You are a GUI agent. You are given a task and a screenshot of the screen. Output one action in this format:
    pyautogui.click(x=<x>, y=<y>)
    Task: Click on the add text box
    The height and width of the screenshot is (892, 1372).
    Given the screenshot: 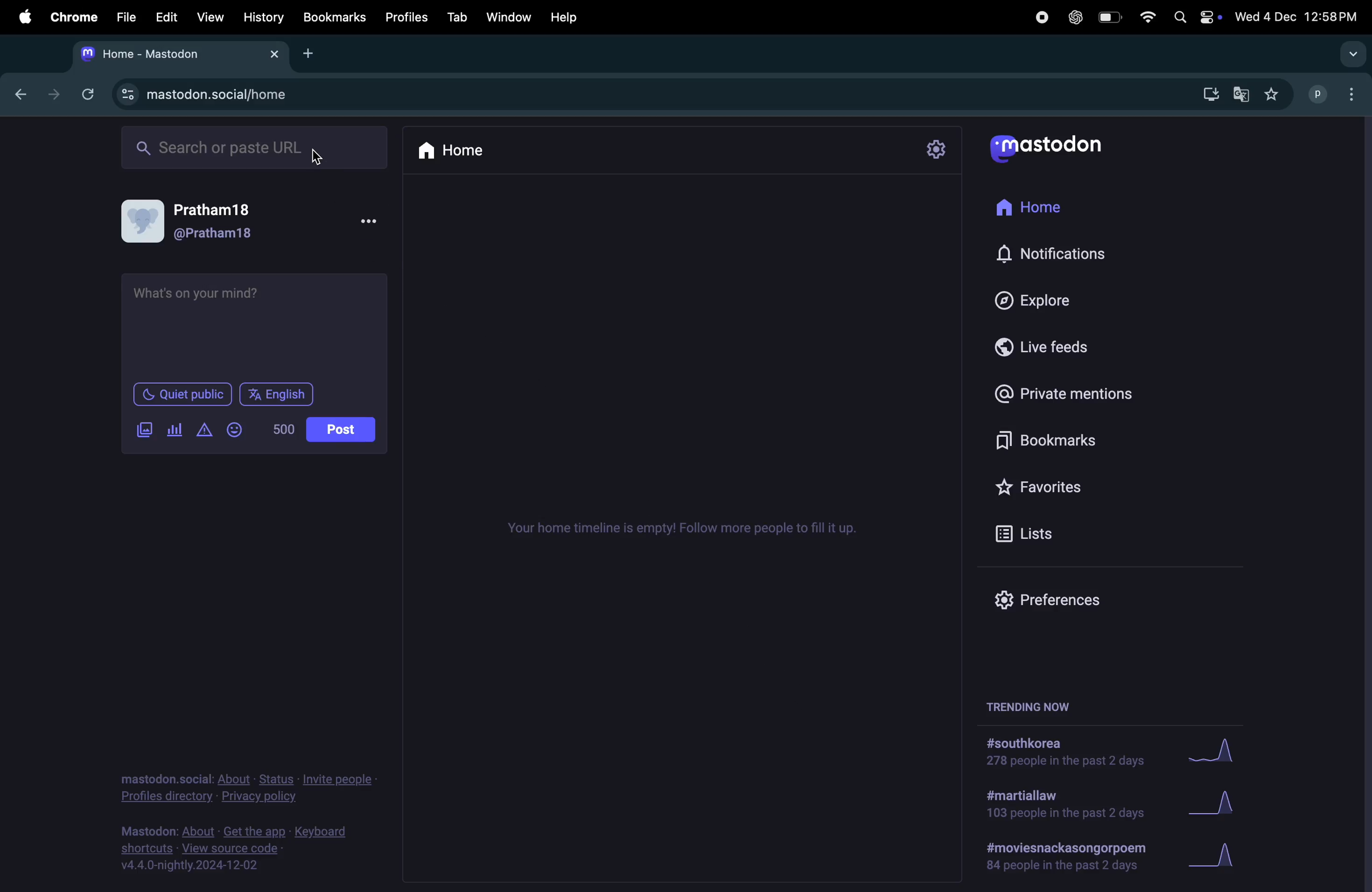 What is the action you would take?
    pyautogui.click(x=253, y=325)
    